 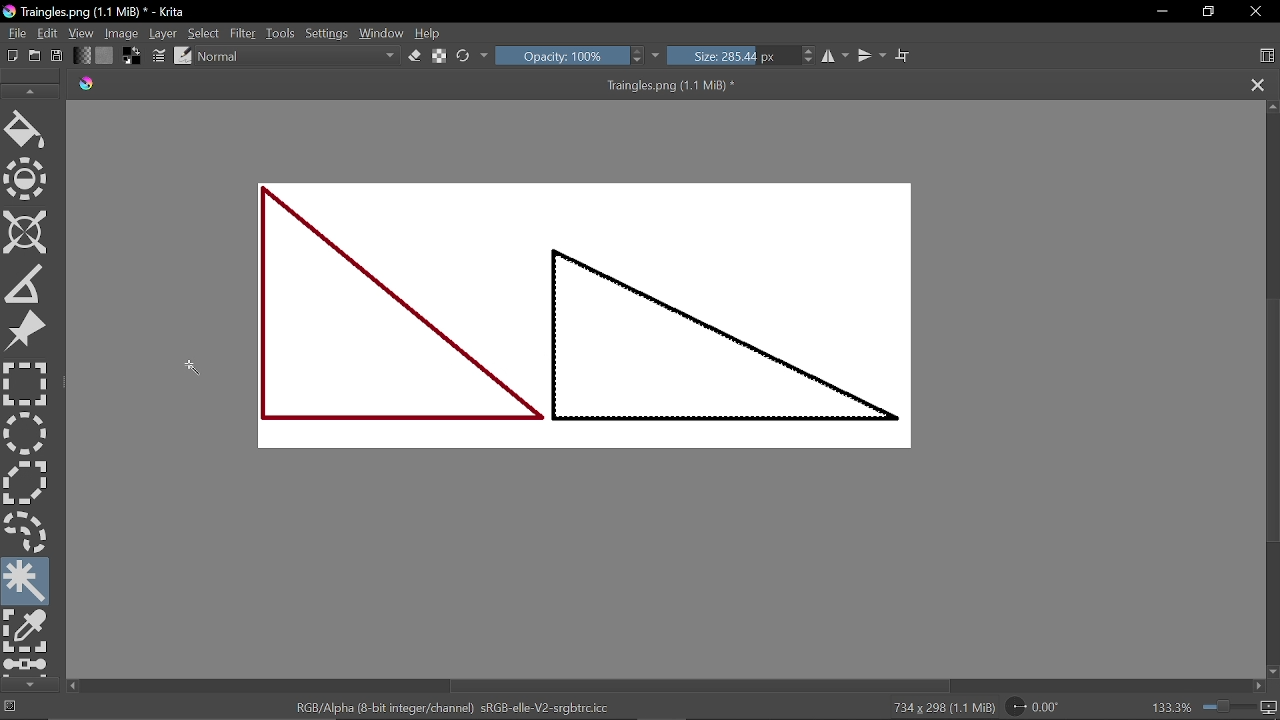 I want to click on Ellipse select tool, so click(x=25, y=434).